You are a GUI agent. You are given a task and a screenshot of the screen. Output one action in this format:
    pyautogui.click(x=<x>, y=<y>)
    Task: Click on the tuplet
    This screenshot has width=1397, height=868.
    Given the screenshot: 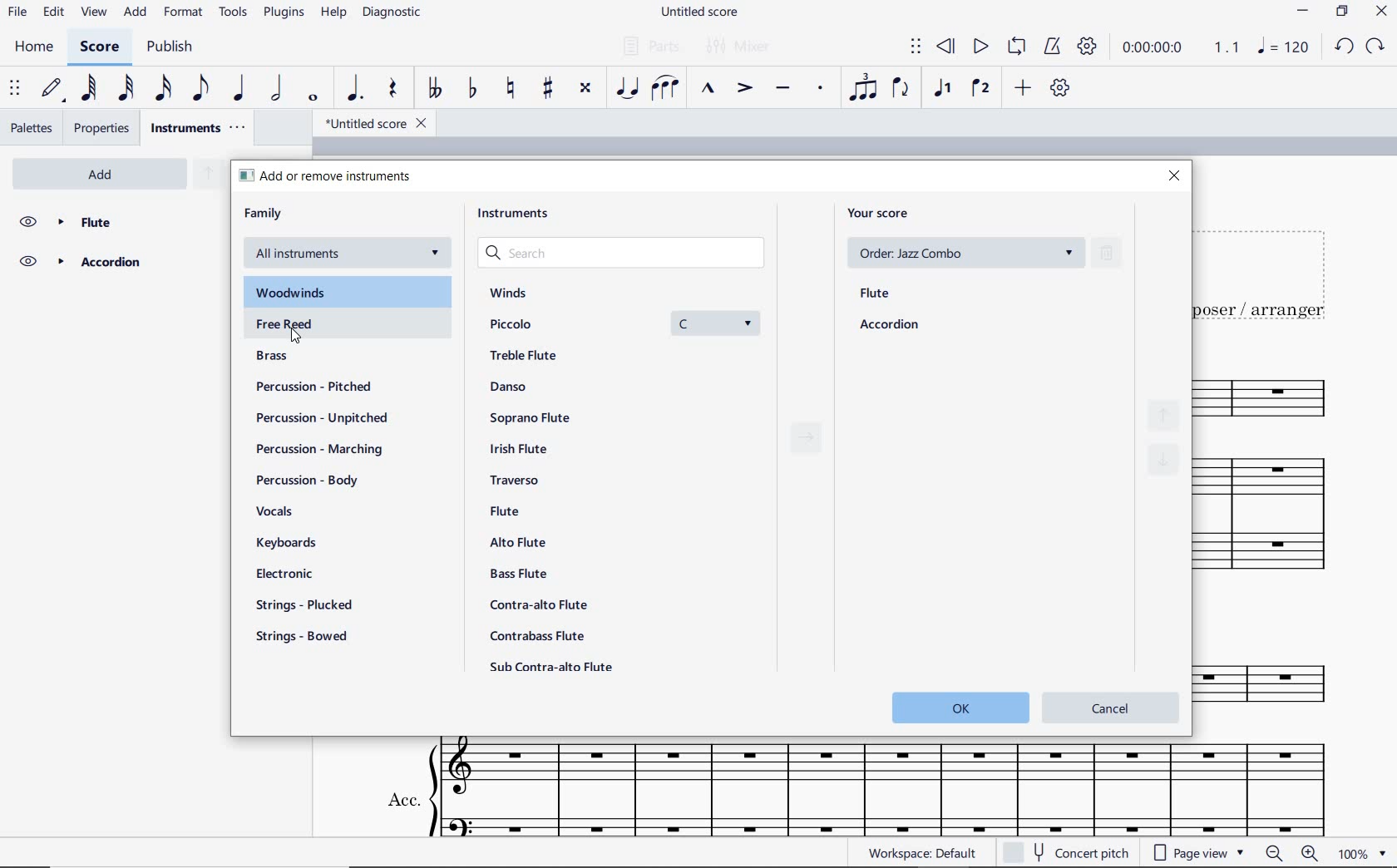 What is the action you would take?
    pyautogui.click(x=864, y=88)
    